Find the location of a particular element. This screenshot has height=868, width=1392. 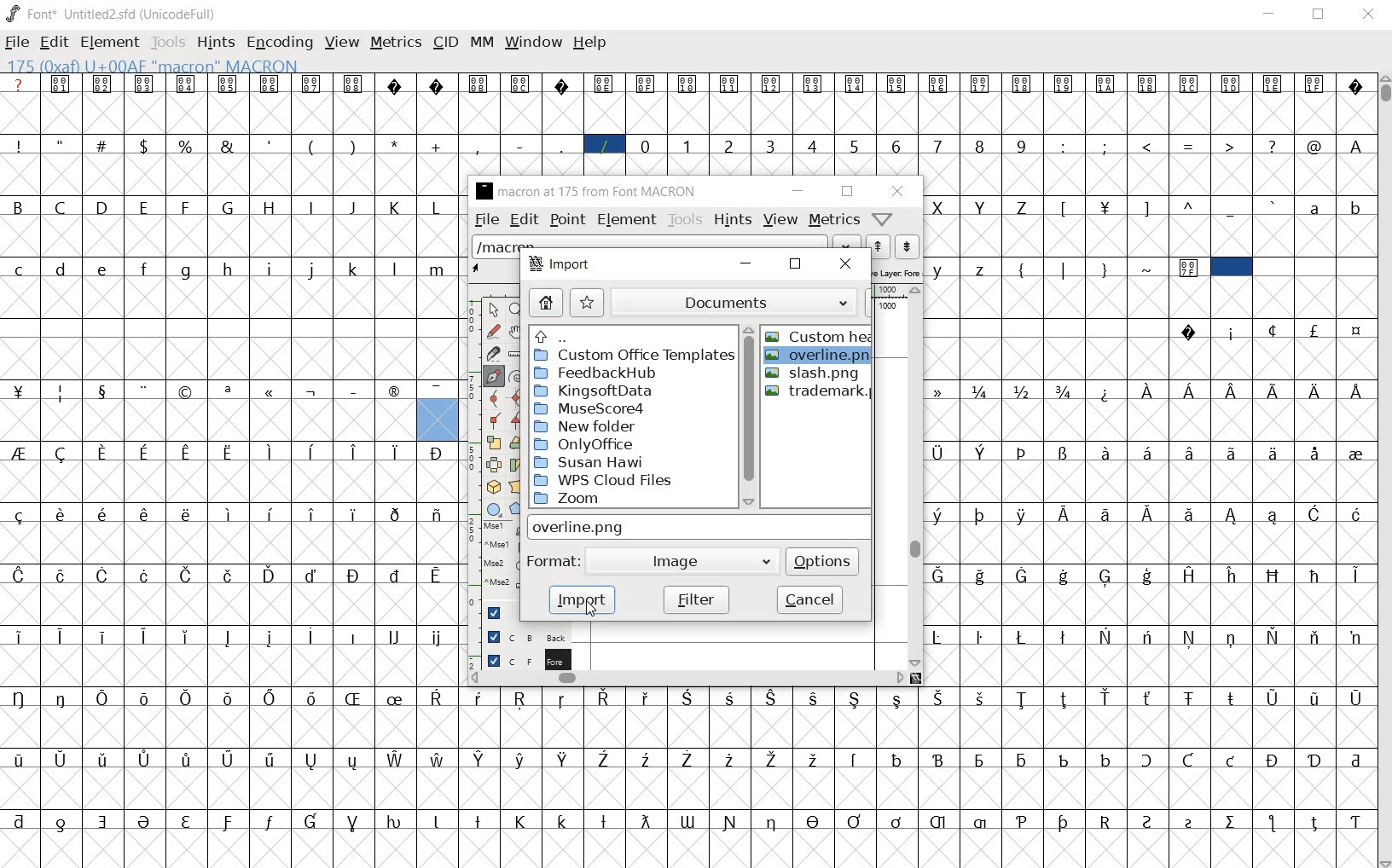

directories is located at coordinates (630, 335).